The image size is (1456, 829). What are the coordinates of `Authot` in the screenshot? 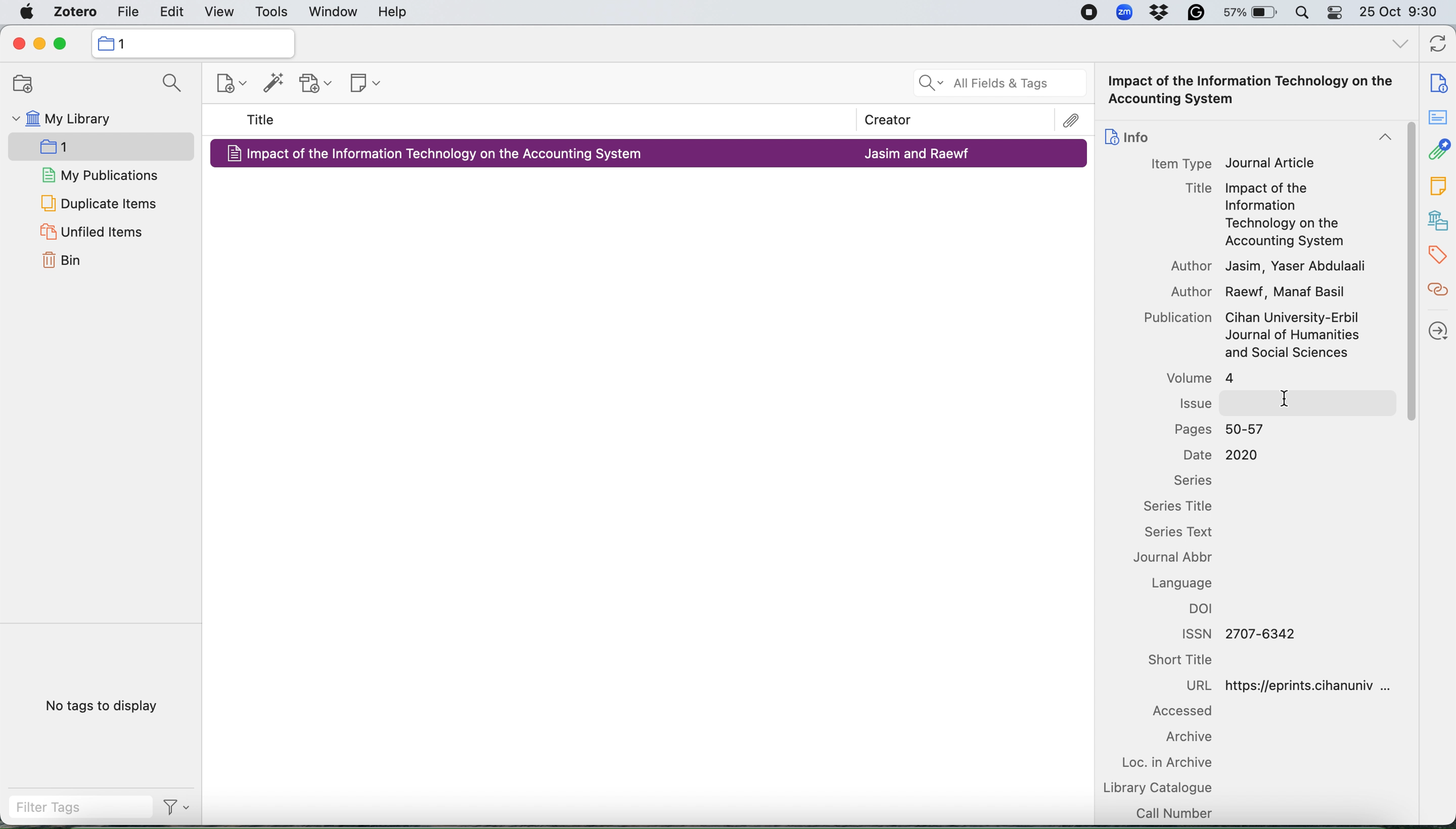 It's located at (1180, 291).